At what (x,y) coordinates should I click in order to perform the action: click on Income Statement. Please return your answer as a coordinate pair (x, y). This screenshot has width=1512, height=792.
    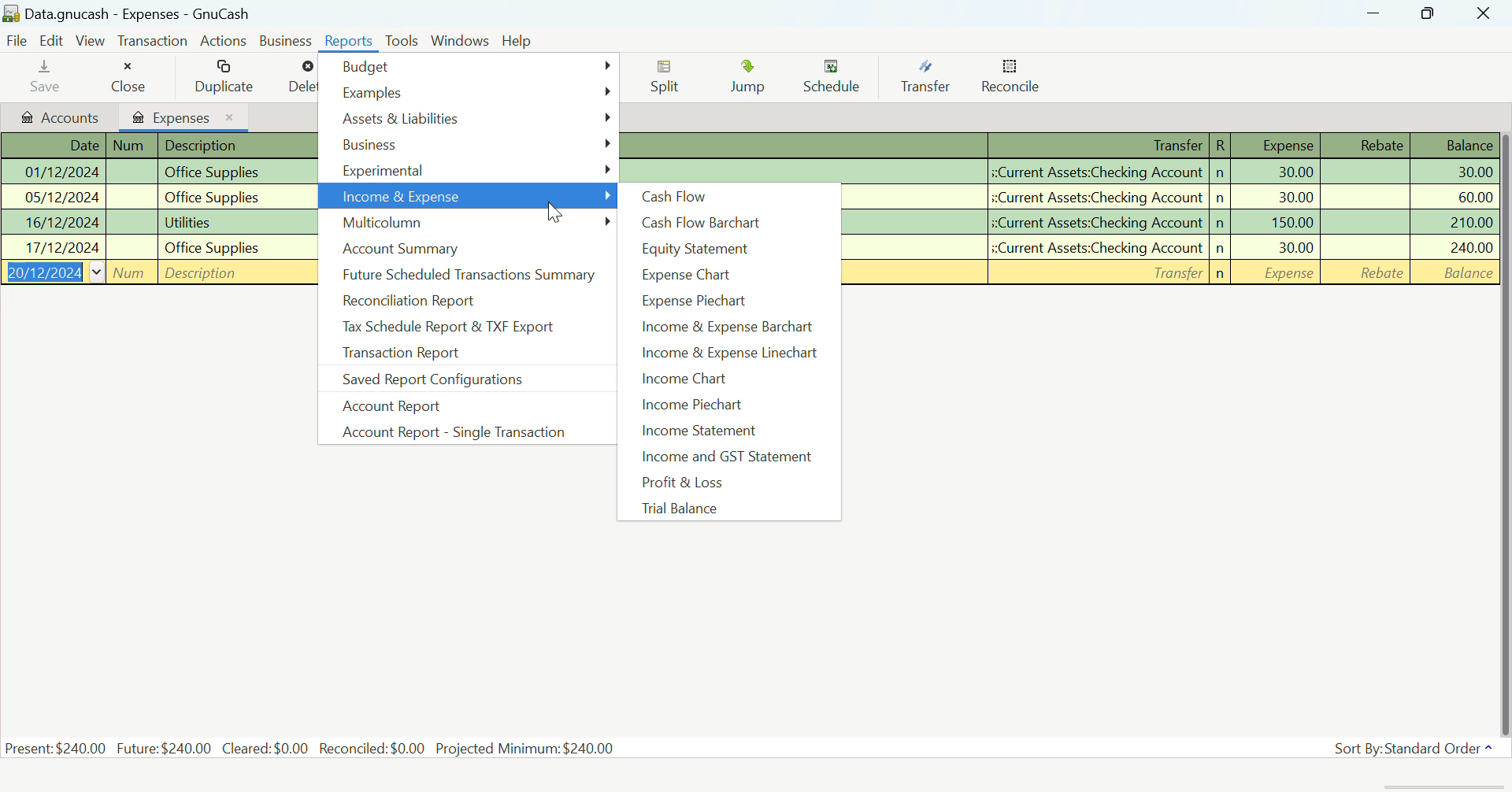
    Looking at the image, I should click on (728, 431).